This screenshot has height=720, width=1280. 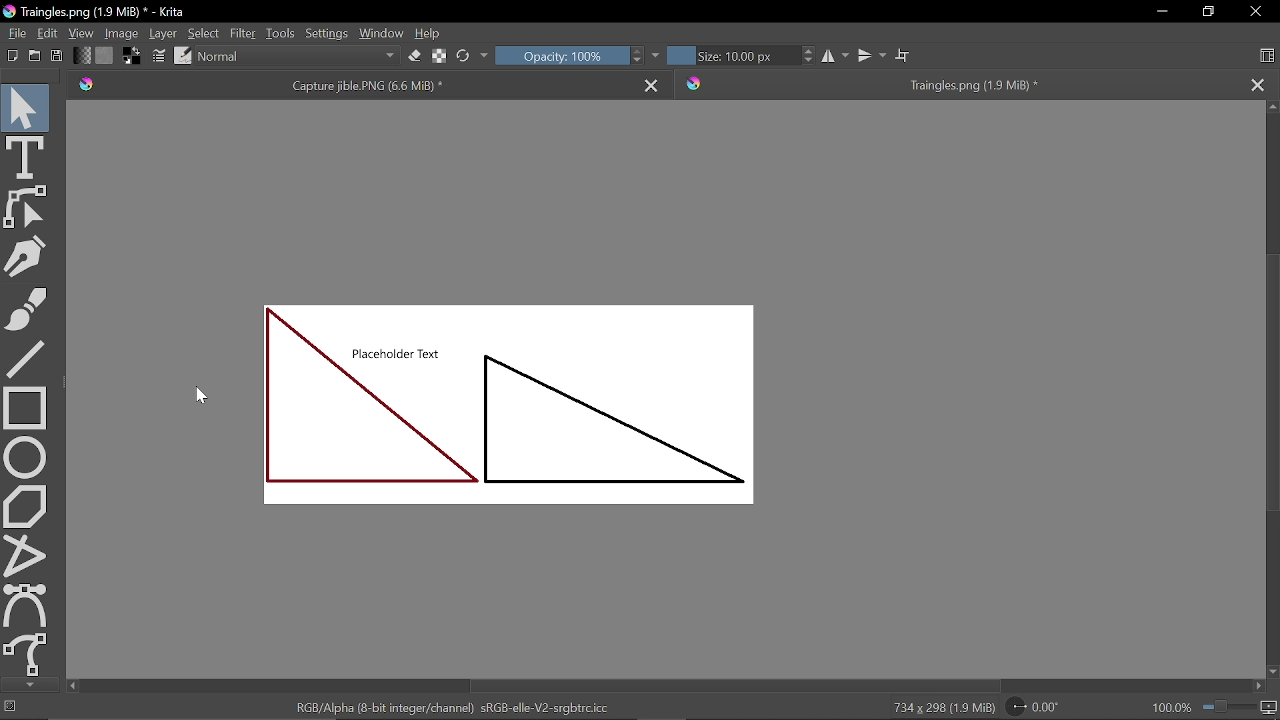 What do you see at coordinates (1266, 56) in the screenshot?
I see `Choose workspace` at bounding box center [1266, 56].